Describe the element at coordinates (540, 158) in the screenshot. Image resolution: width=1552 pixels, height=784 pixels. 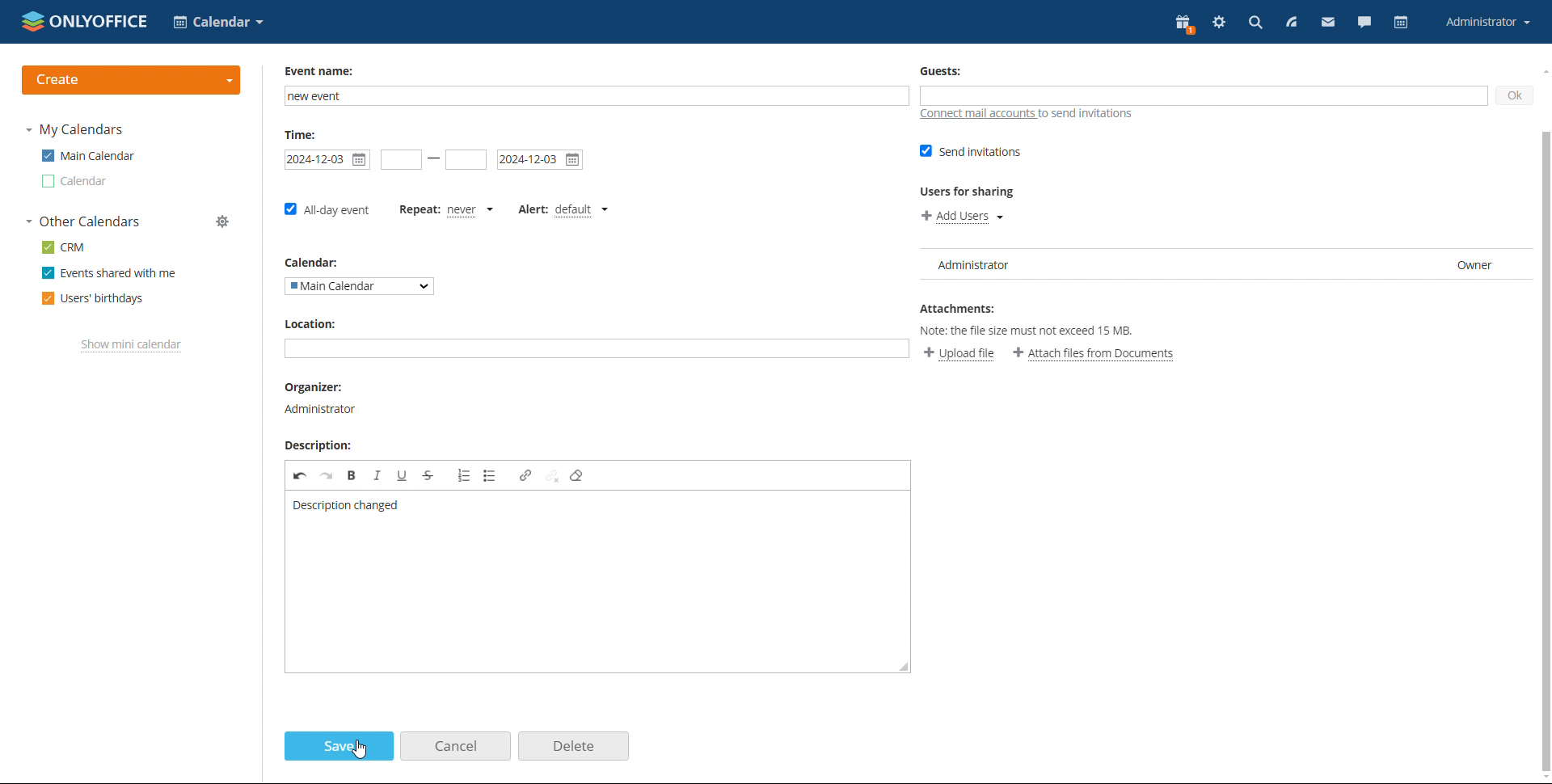
I see `end date` at that location.